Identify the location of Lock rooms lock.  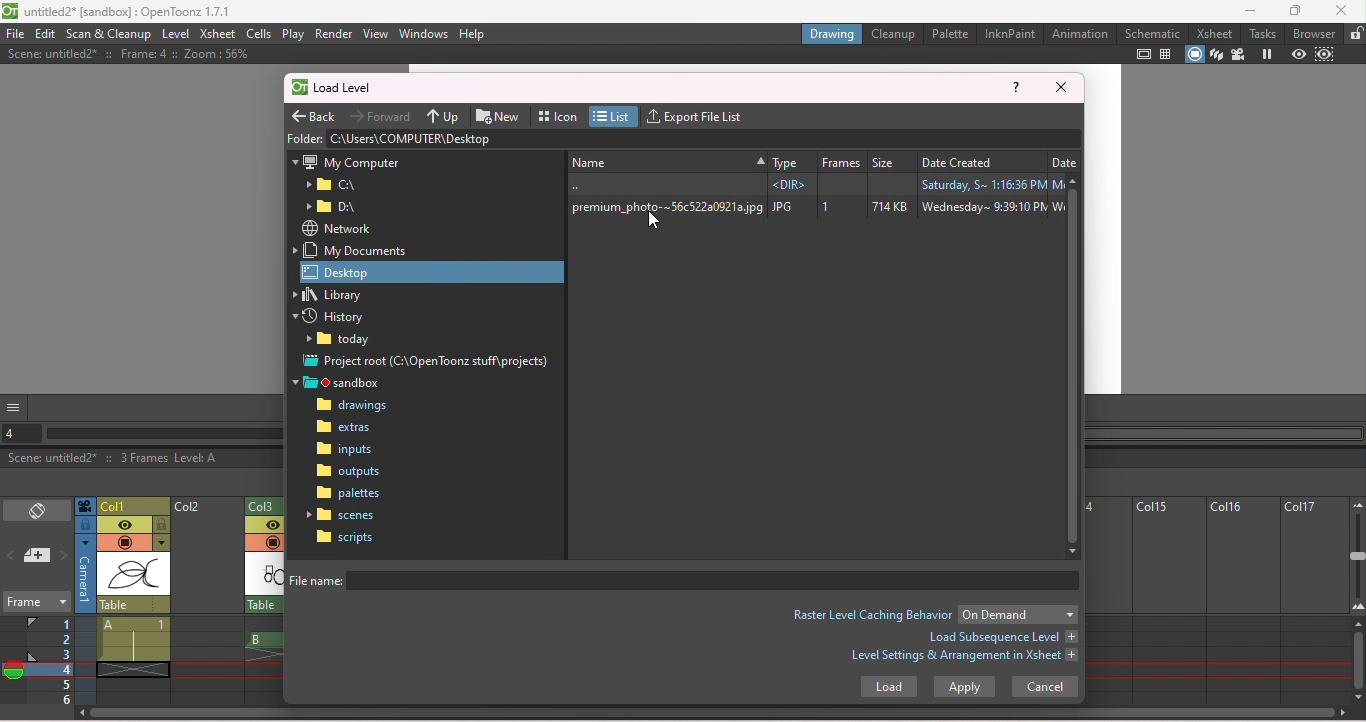
(1355, 33).